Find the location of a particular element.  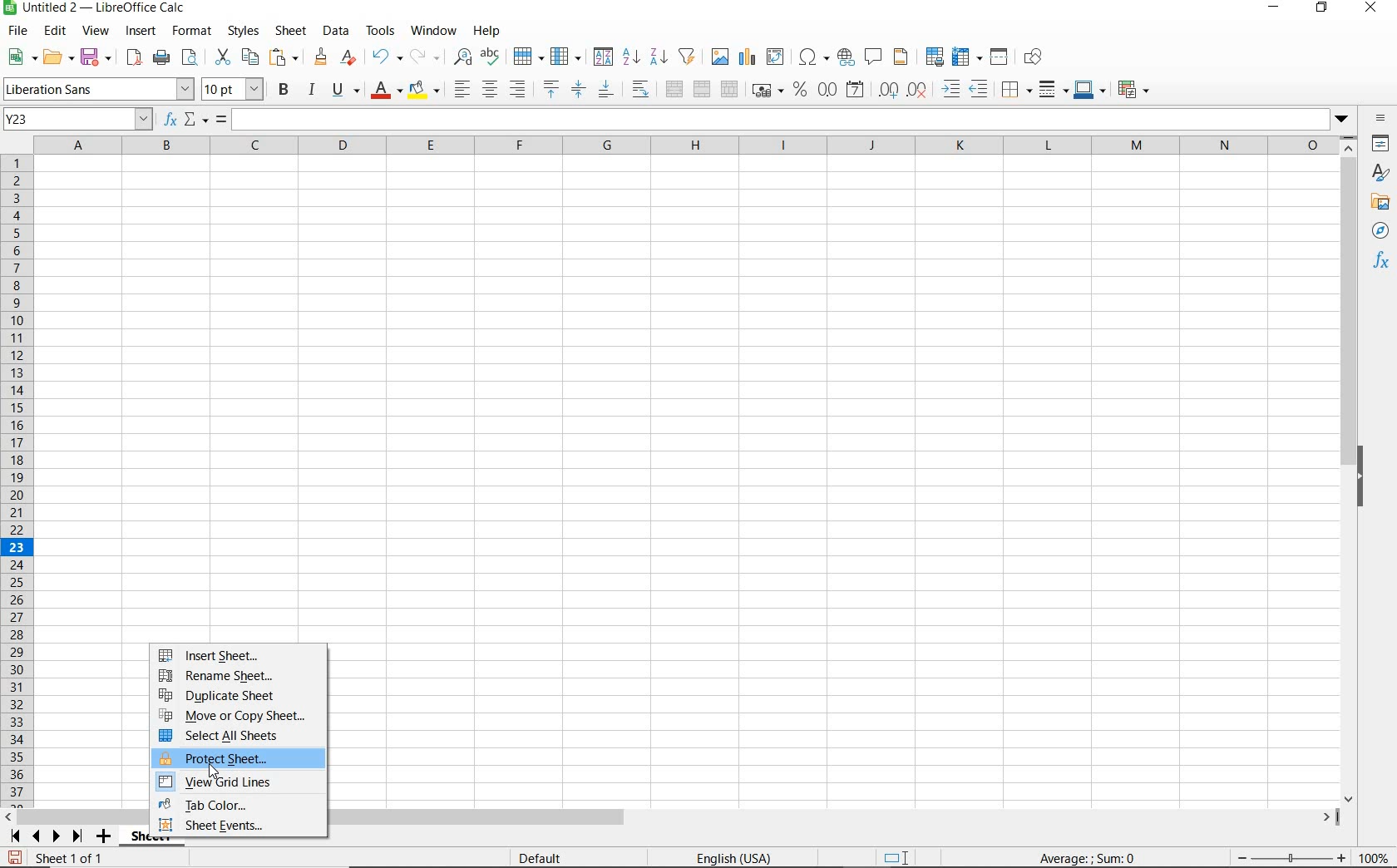

NAME BOX is located at coordinates (78, 120).